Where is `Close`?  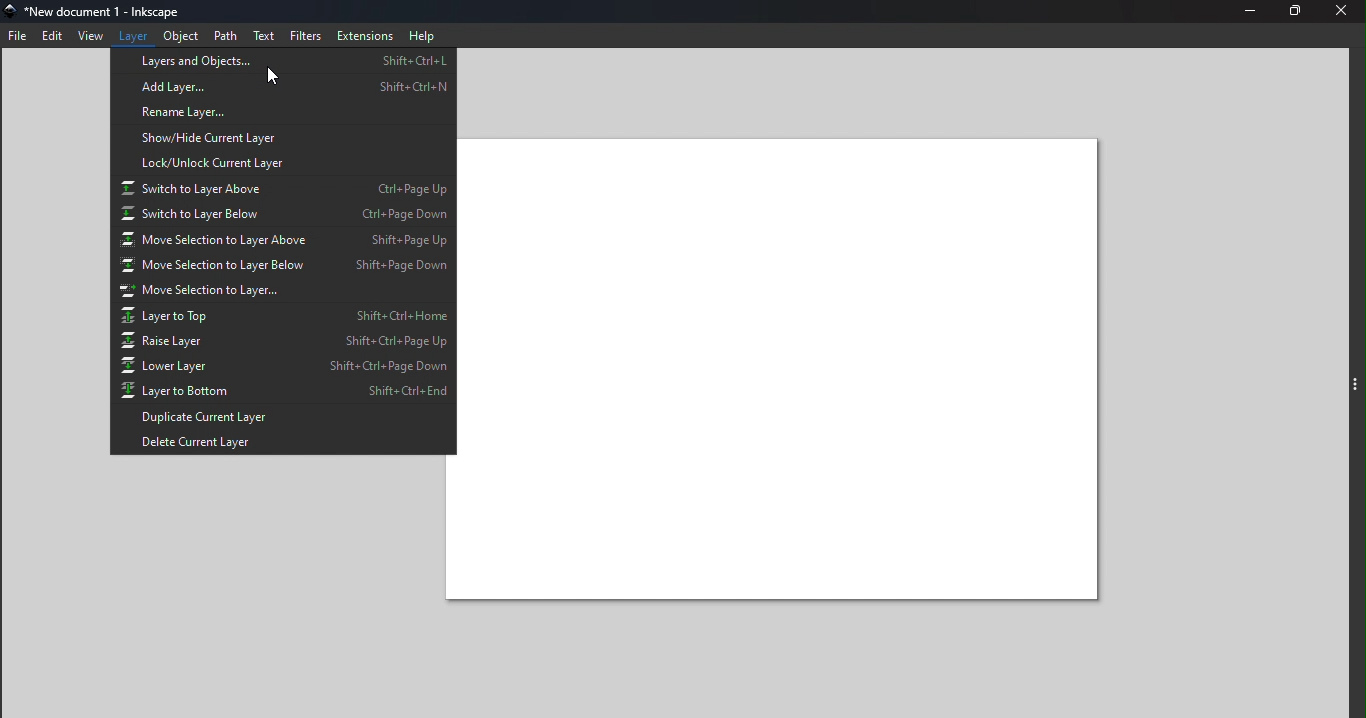 Close is located at coordinates (1345, 12).